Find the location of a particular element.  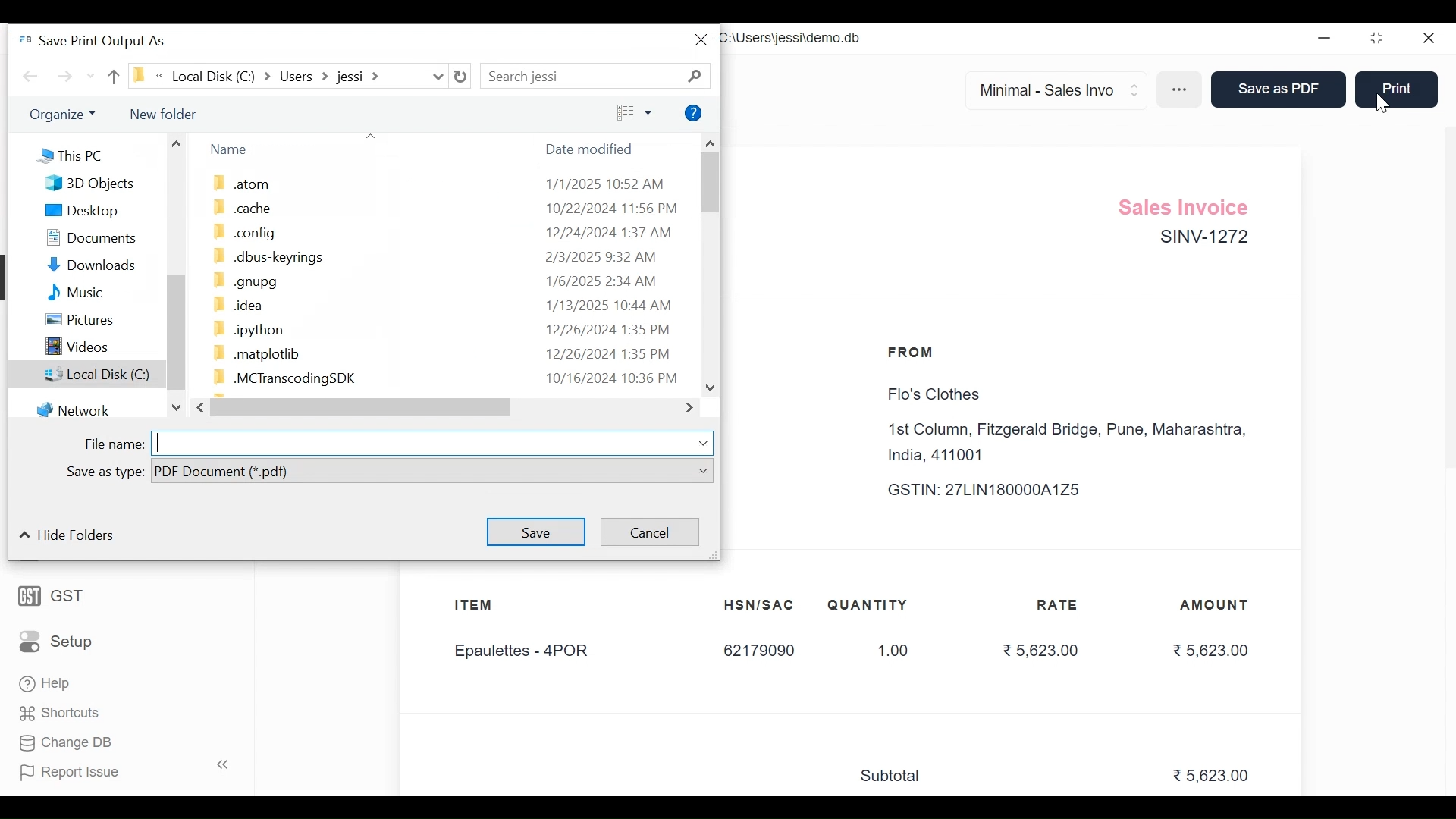

Forward is located at coordinates (67, 78).